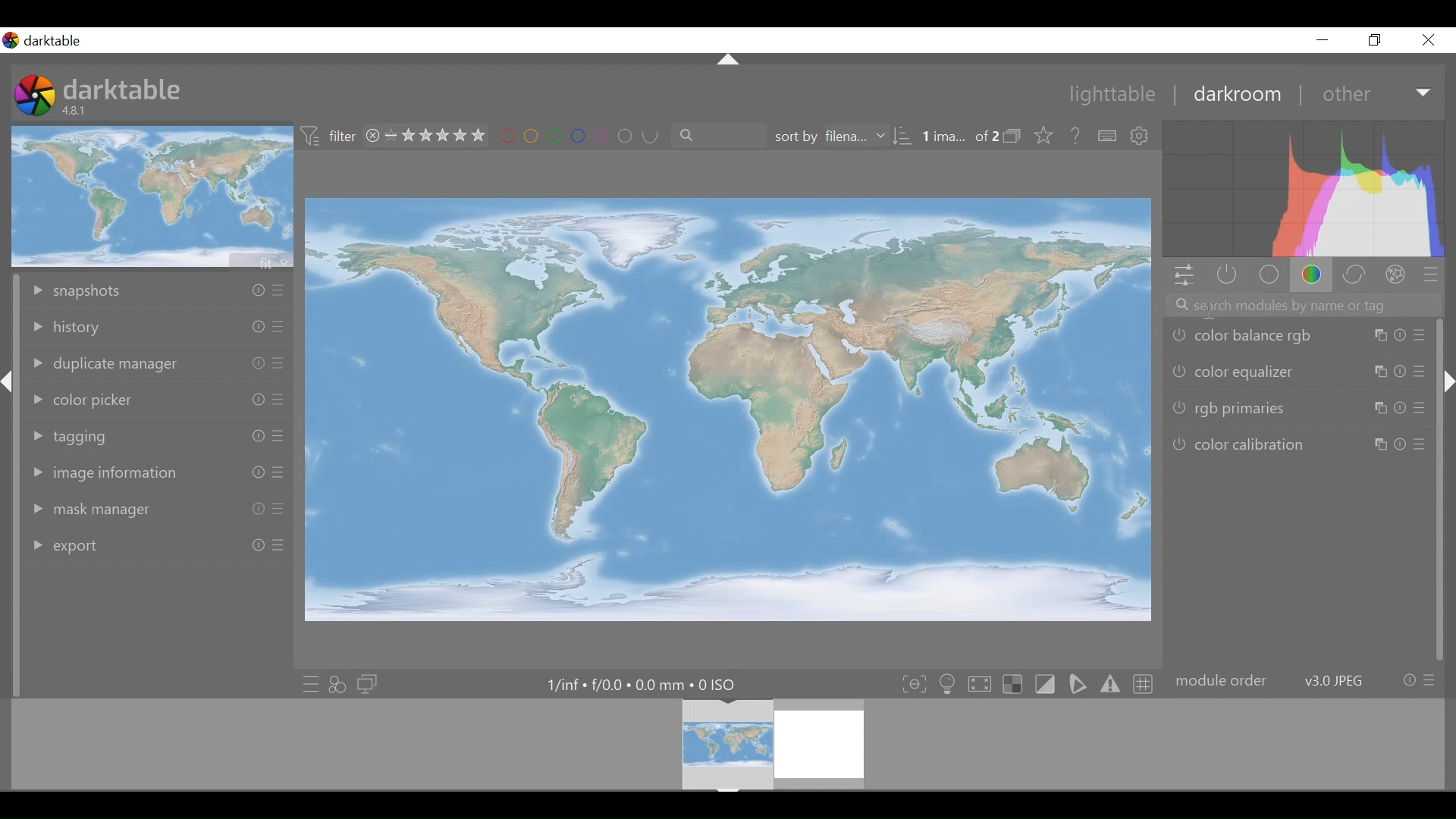 The image size is (1456, 819). What do you see at coordinates (1077, 685) in the screenshot?
I see `toggle soft proofing` at bounding box center [1077, 685].